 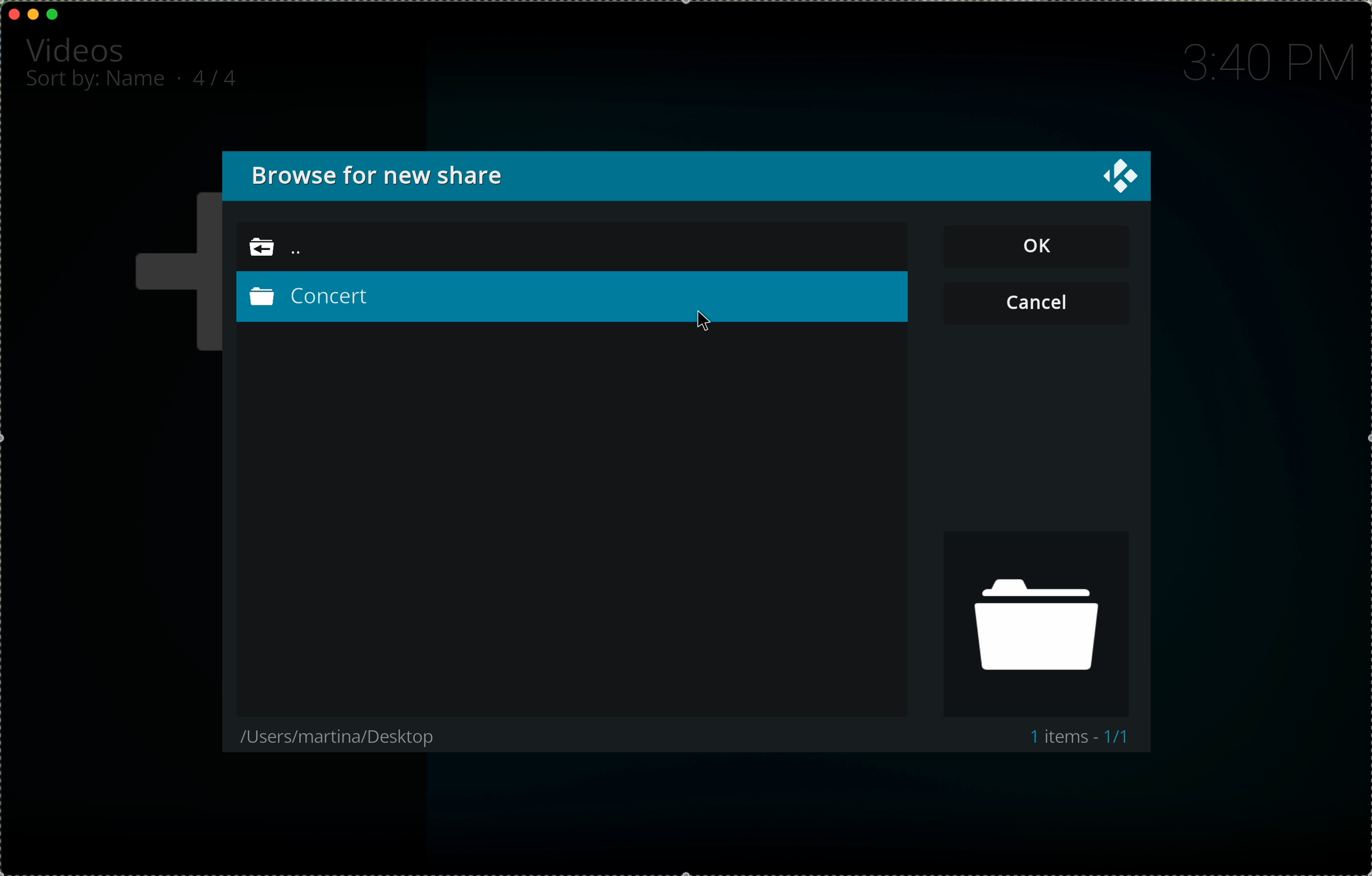 What do you see at coordinates (1044, 300) in the screenshot?
I see `` at bounding box center [1044, 300].